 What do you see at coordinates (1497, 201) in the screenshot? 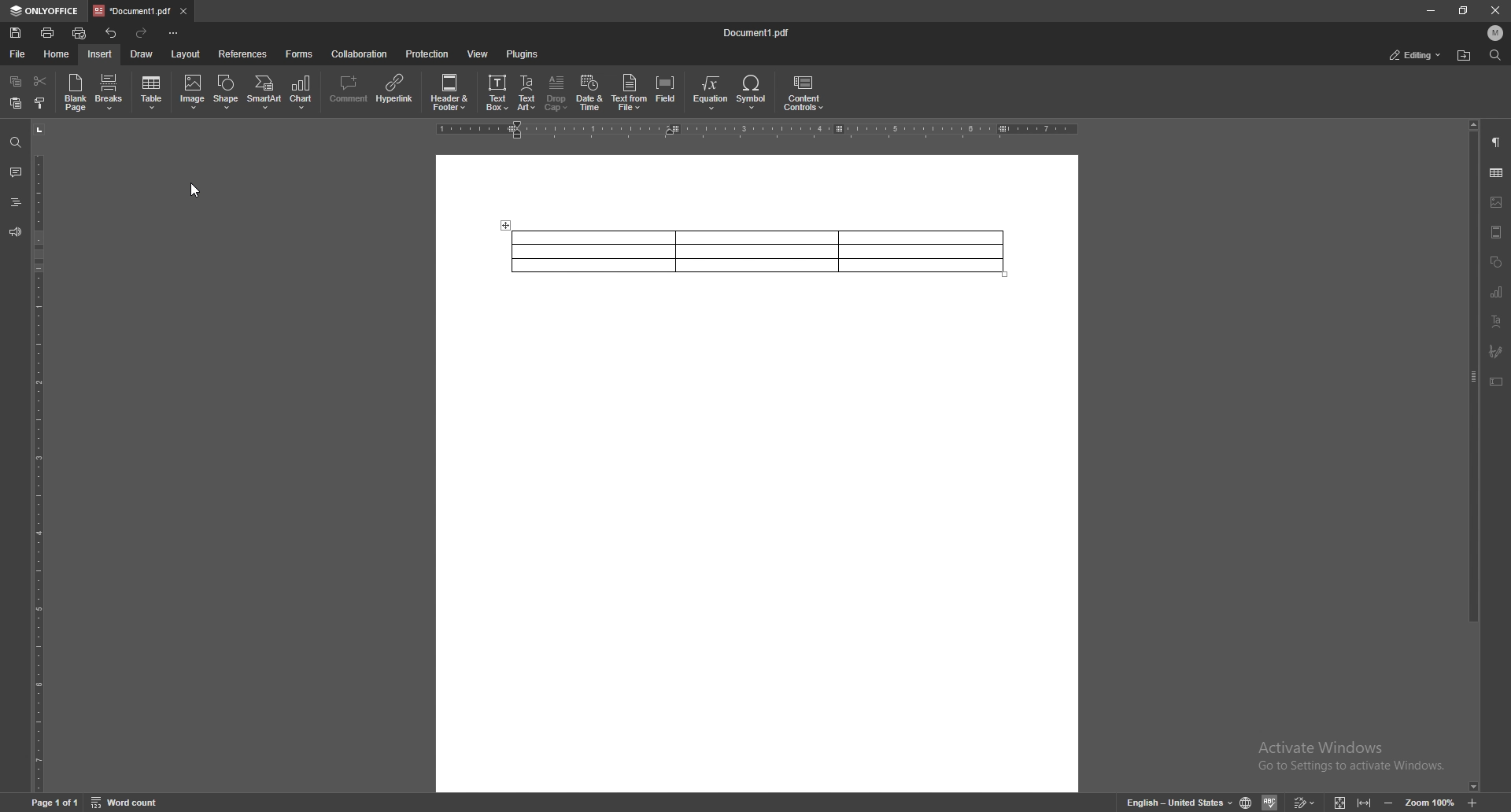
I see `image` at bounding box center [1497, 201].